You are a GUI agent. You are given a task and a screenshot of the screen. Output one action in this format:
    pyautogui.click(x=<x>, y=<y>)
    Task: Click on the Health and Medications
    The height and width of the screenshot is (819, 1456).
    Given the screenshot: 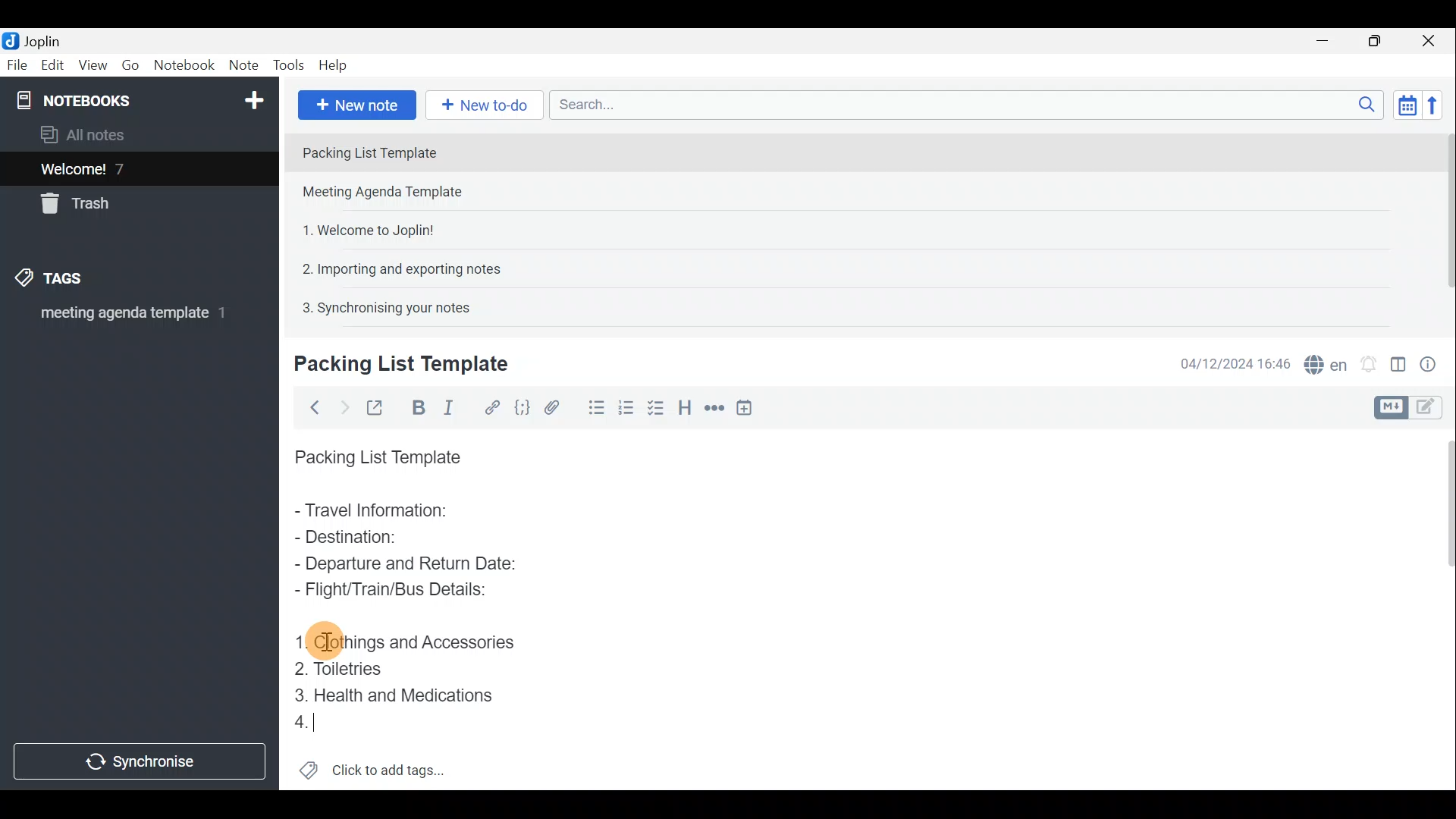 What is the action you would take?
    pyautogui.click(x=393, y=693)
    